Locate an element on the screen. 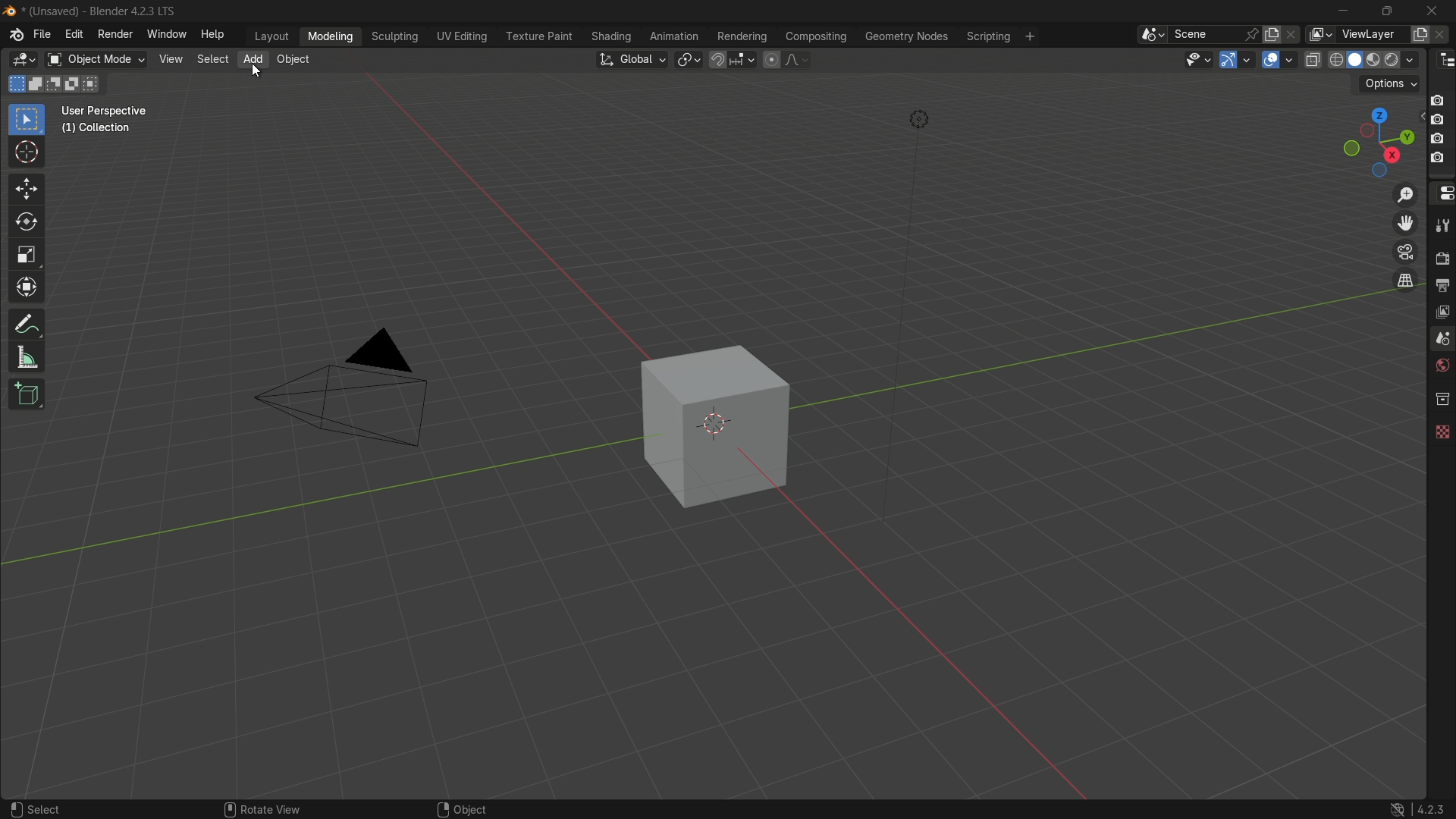 Image resolution: width=1456 pixels, height=819 pixels. cursor is located at coordinates (257, 71).